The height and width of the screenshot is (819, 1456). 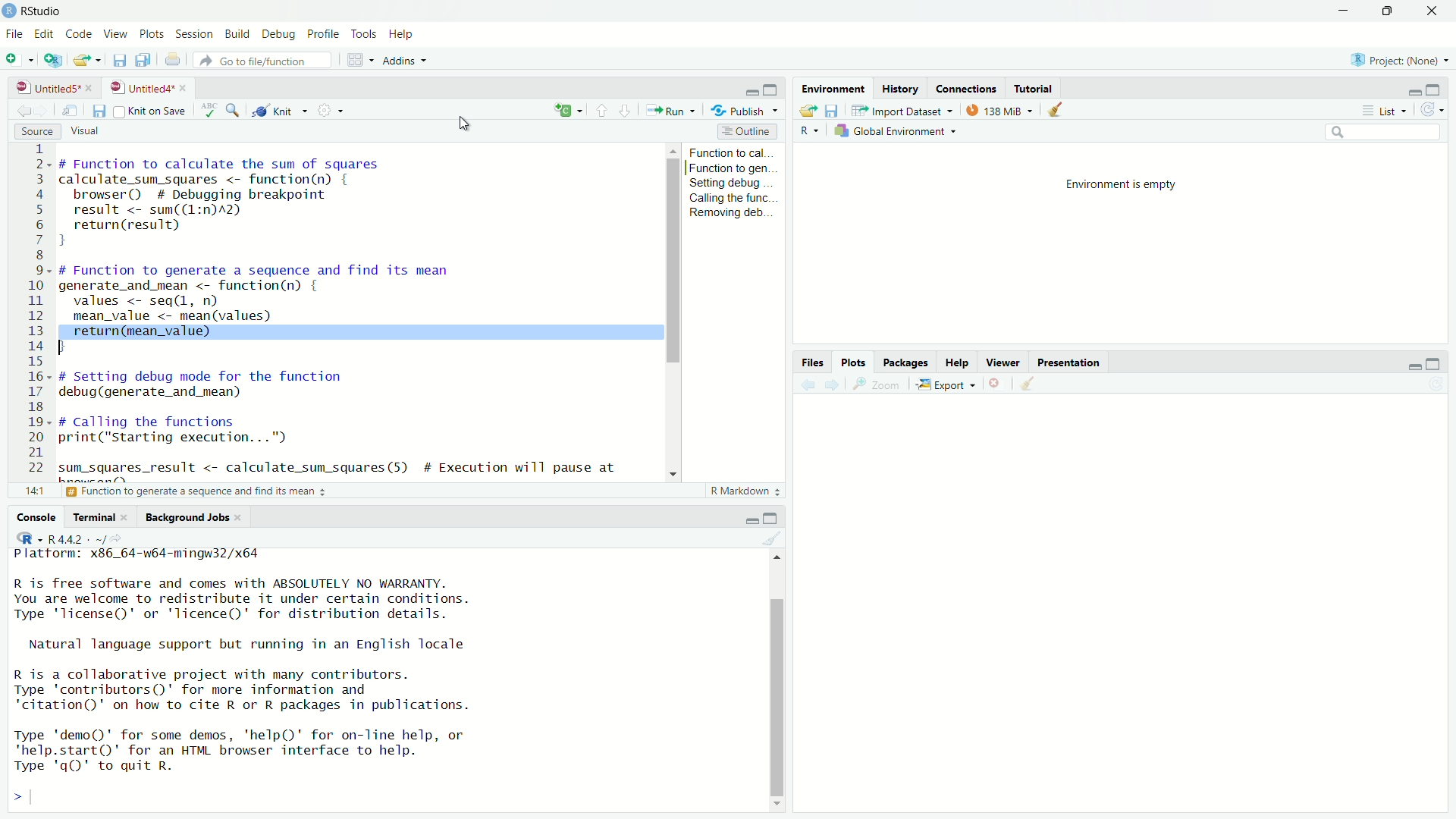 What do you see at coordinates (832, 86) in the screenshot?
I see `environment` at bounding box center [832, 86].